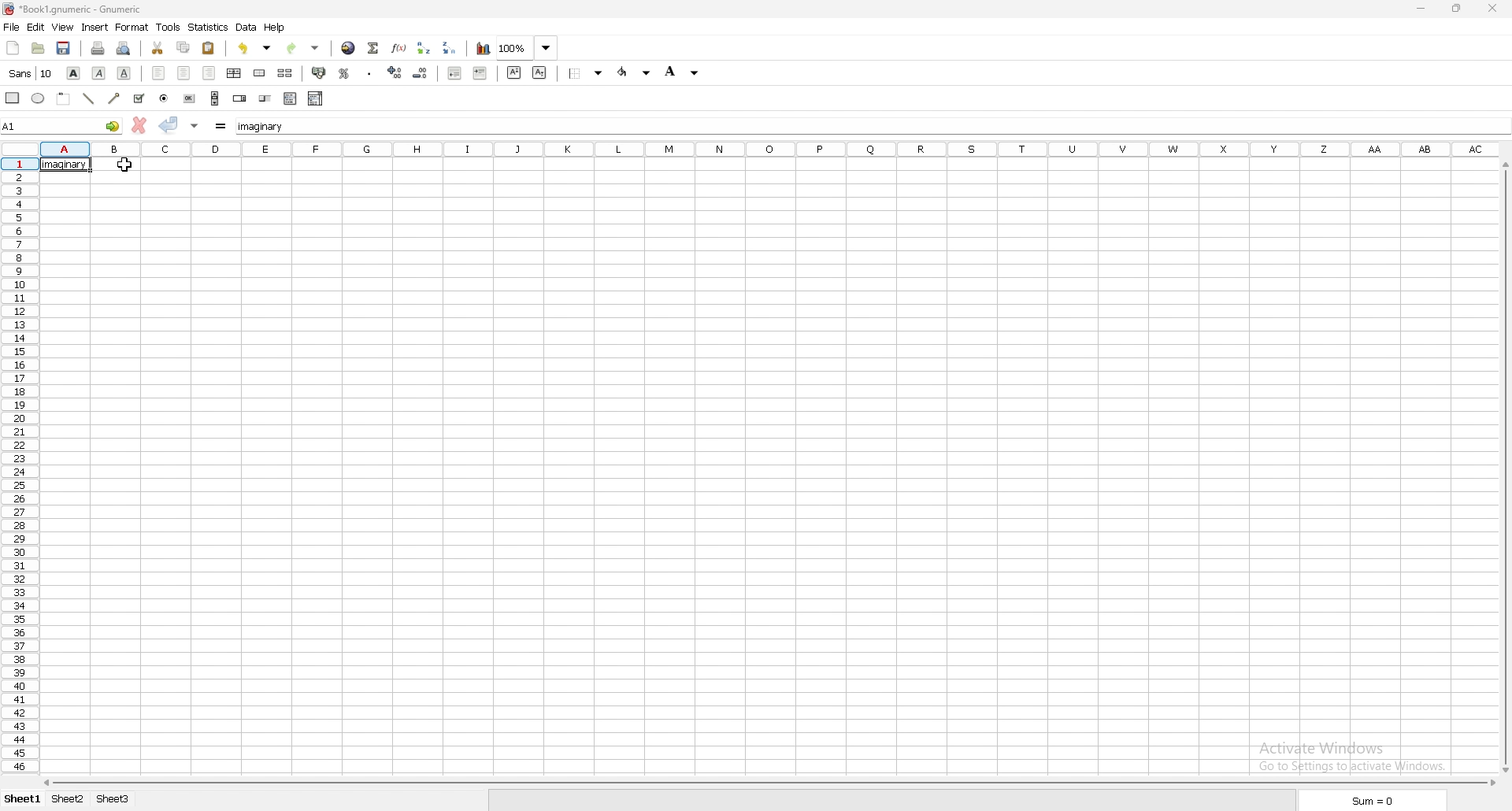 The width and height of the screenshot is (1512, 811). Describe the element at coordinates (1458, 9) in the screenshot. I see `resize` at that location.